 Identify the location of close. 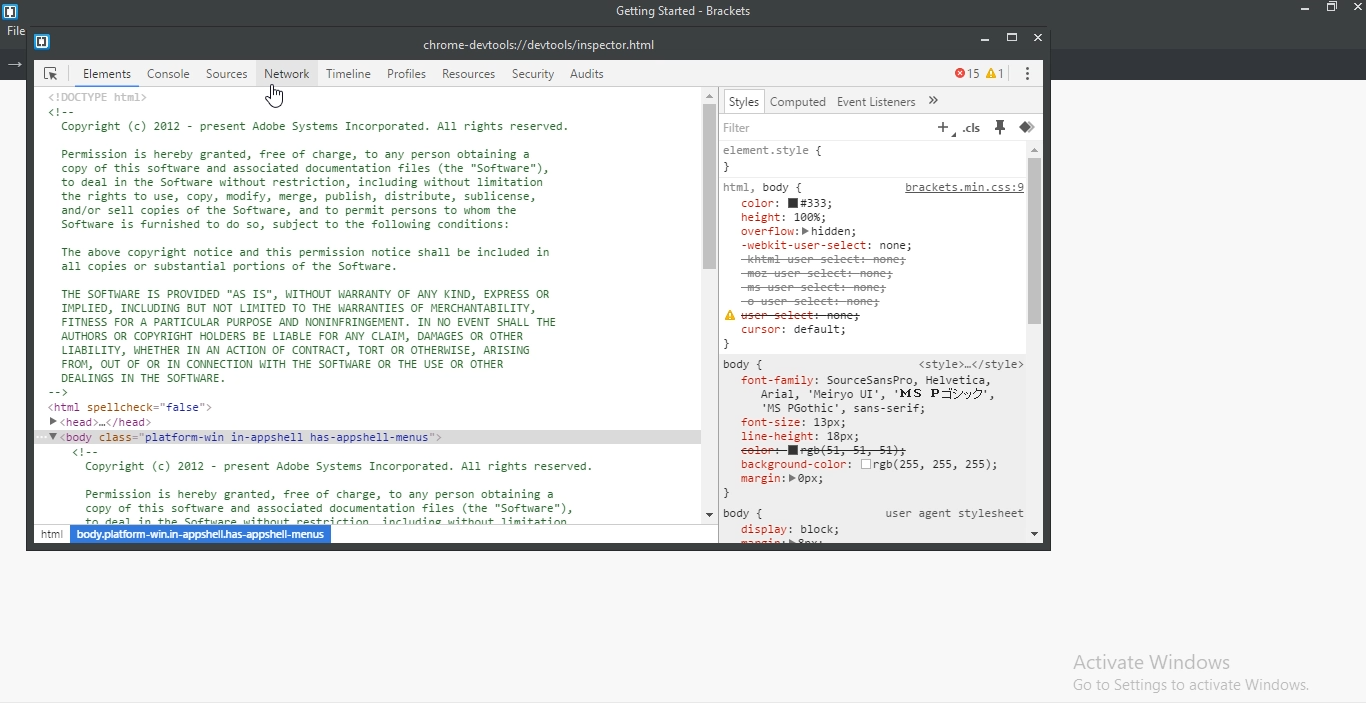
(1037, 37).